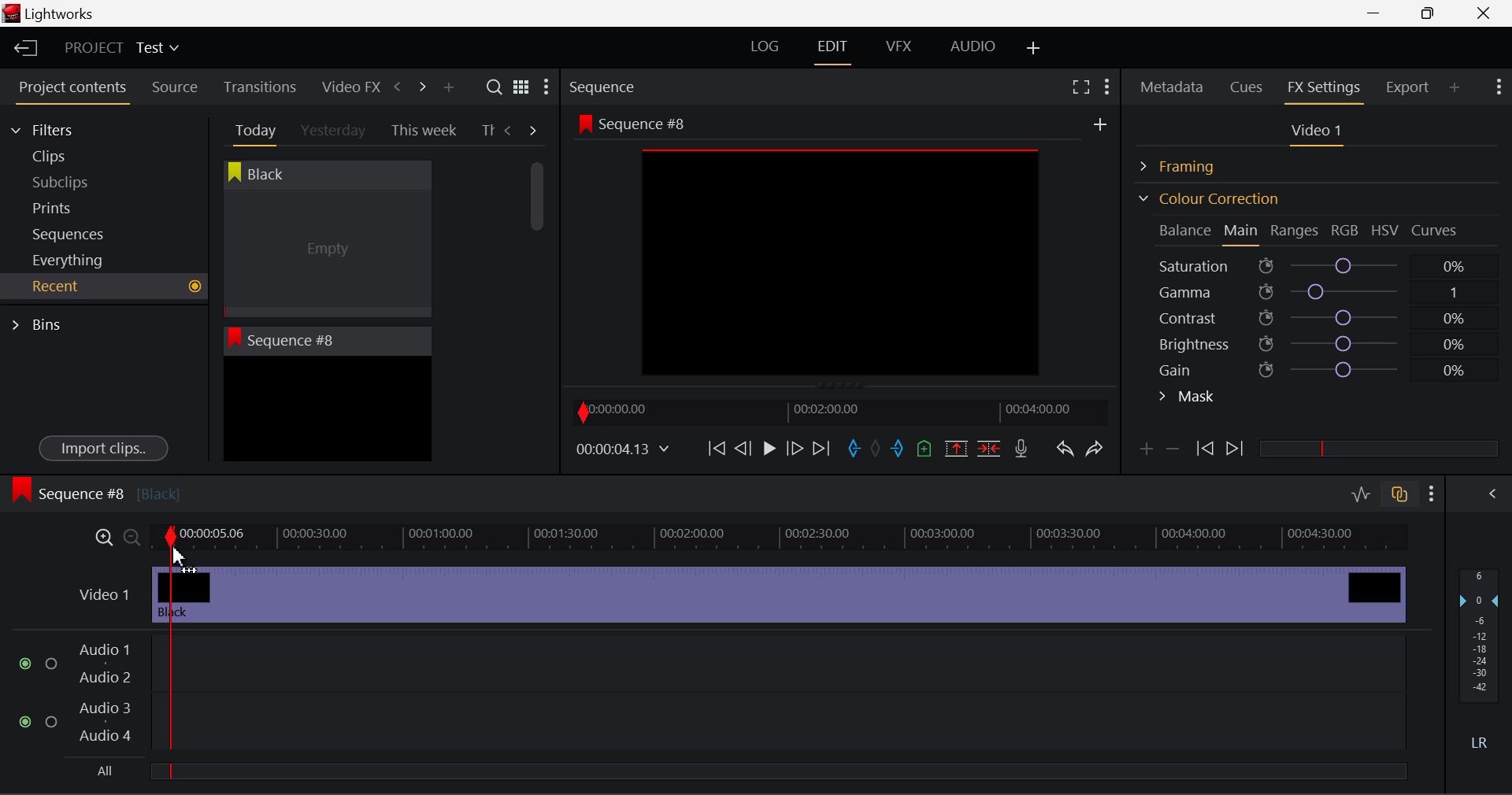  Describe the element at coordinates (122, 49) in the screenshot. I see `Project Title` at that location.